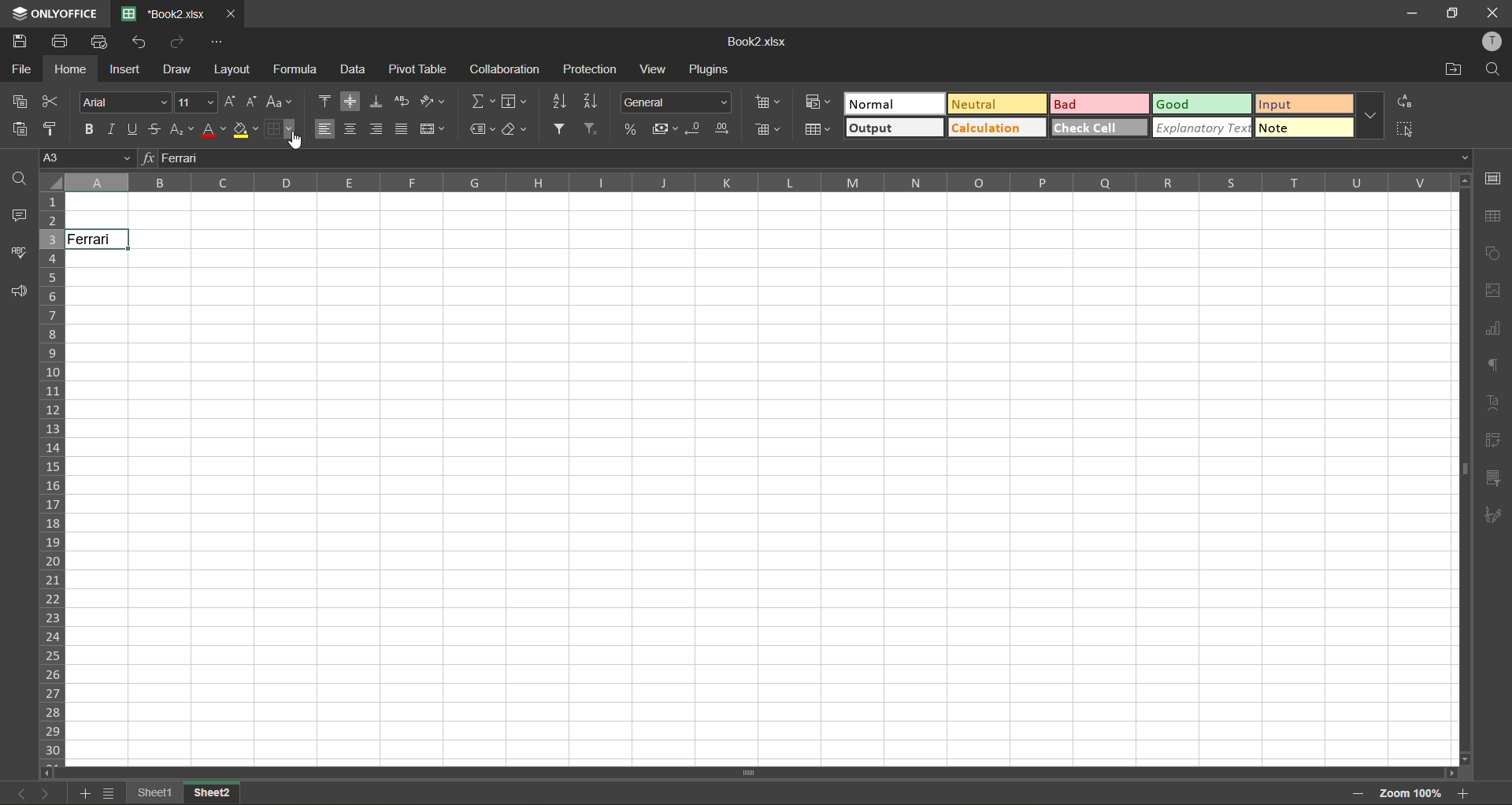  I want to click on paragraph, so click(1495, 367).